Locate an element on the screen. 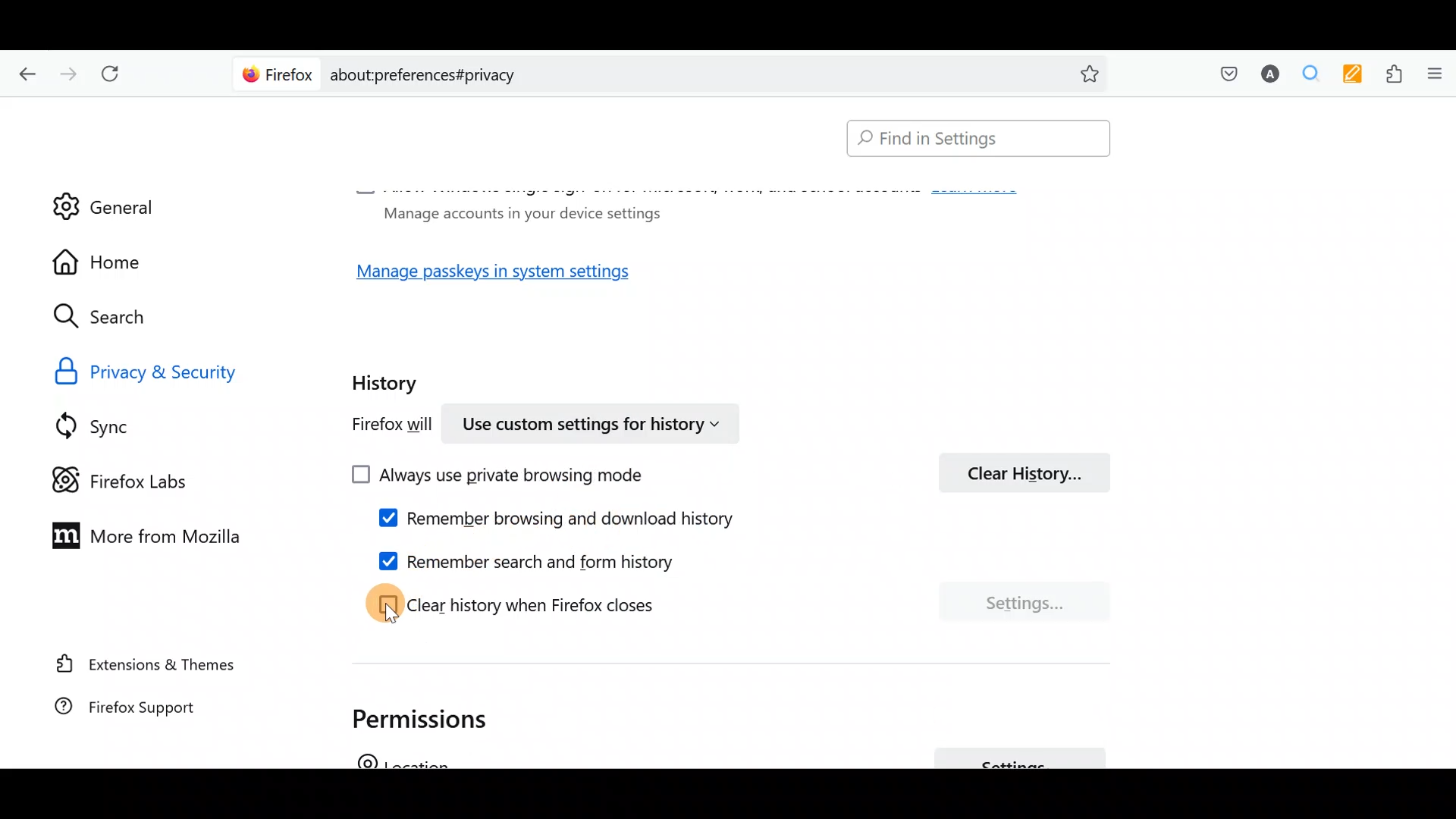 The image size is (1456, 819). cursor is located at coordinates (391, 614).